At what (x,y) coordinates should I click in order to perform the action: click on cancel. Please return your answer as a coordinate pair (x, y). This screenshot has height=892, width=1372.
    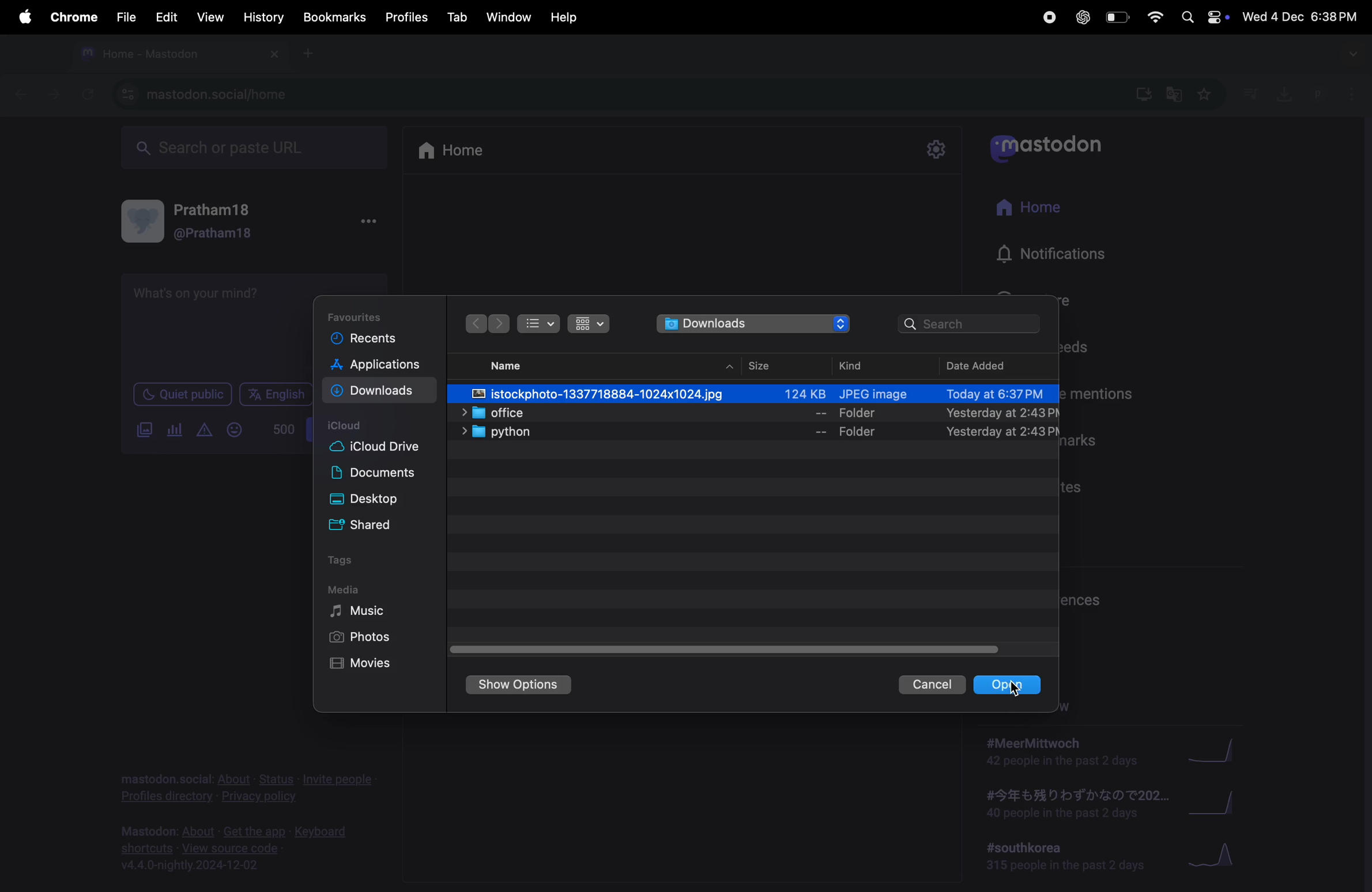
    Looking at the image, I should click on (929, 685).